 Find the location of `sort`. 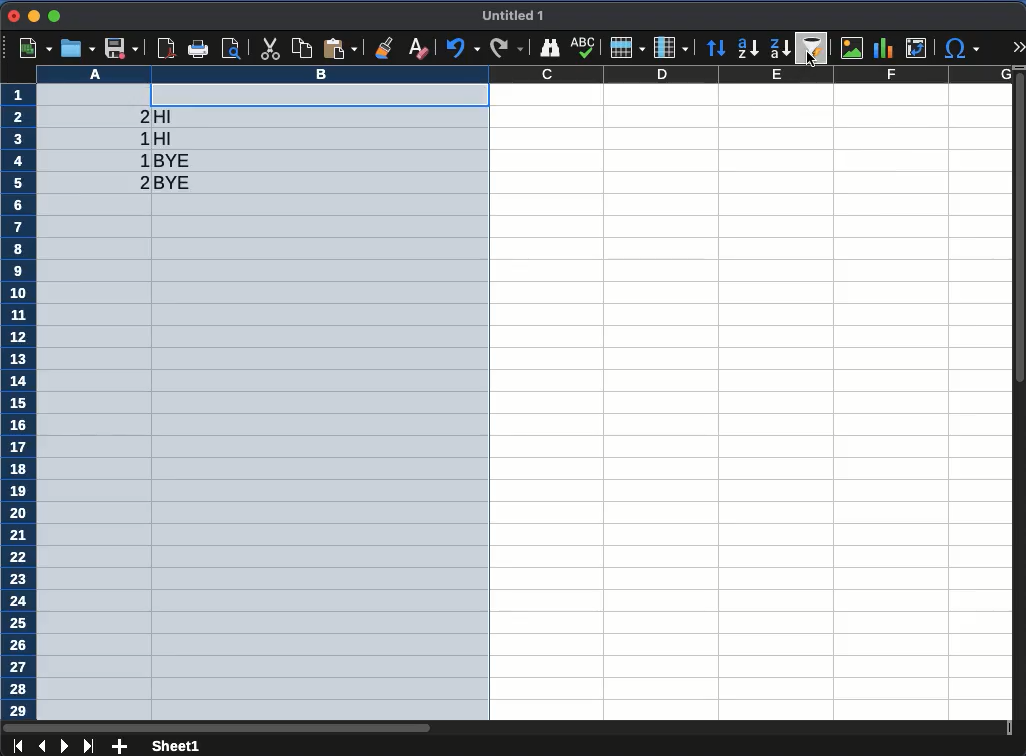

sort is located at coordinates (717, 50).